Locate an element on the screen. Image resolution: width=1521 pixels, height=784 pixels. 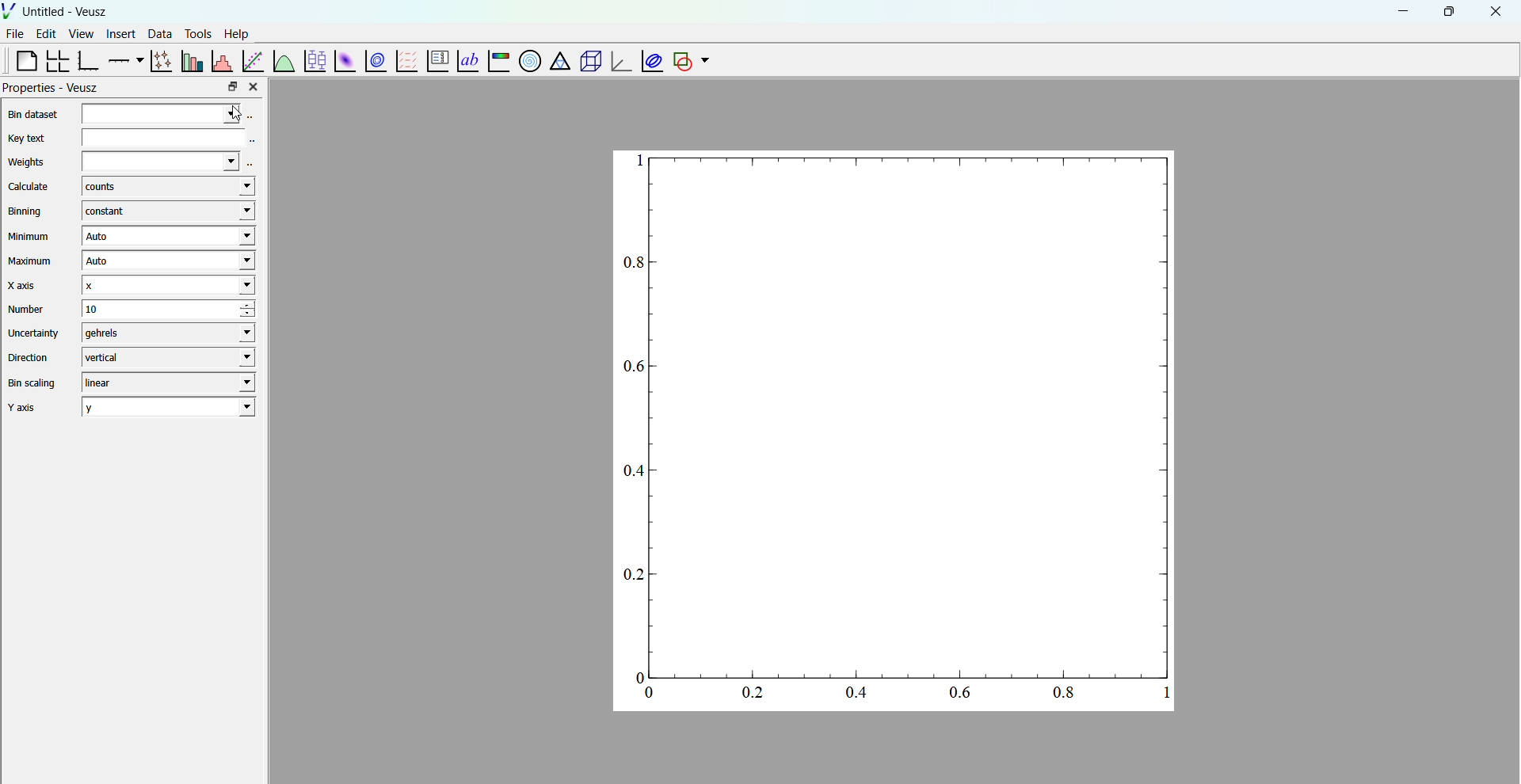
Bin Dataset is located at coordinates (34, 114).